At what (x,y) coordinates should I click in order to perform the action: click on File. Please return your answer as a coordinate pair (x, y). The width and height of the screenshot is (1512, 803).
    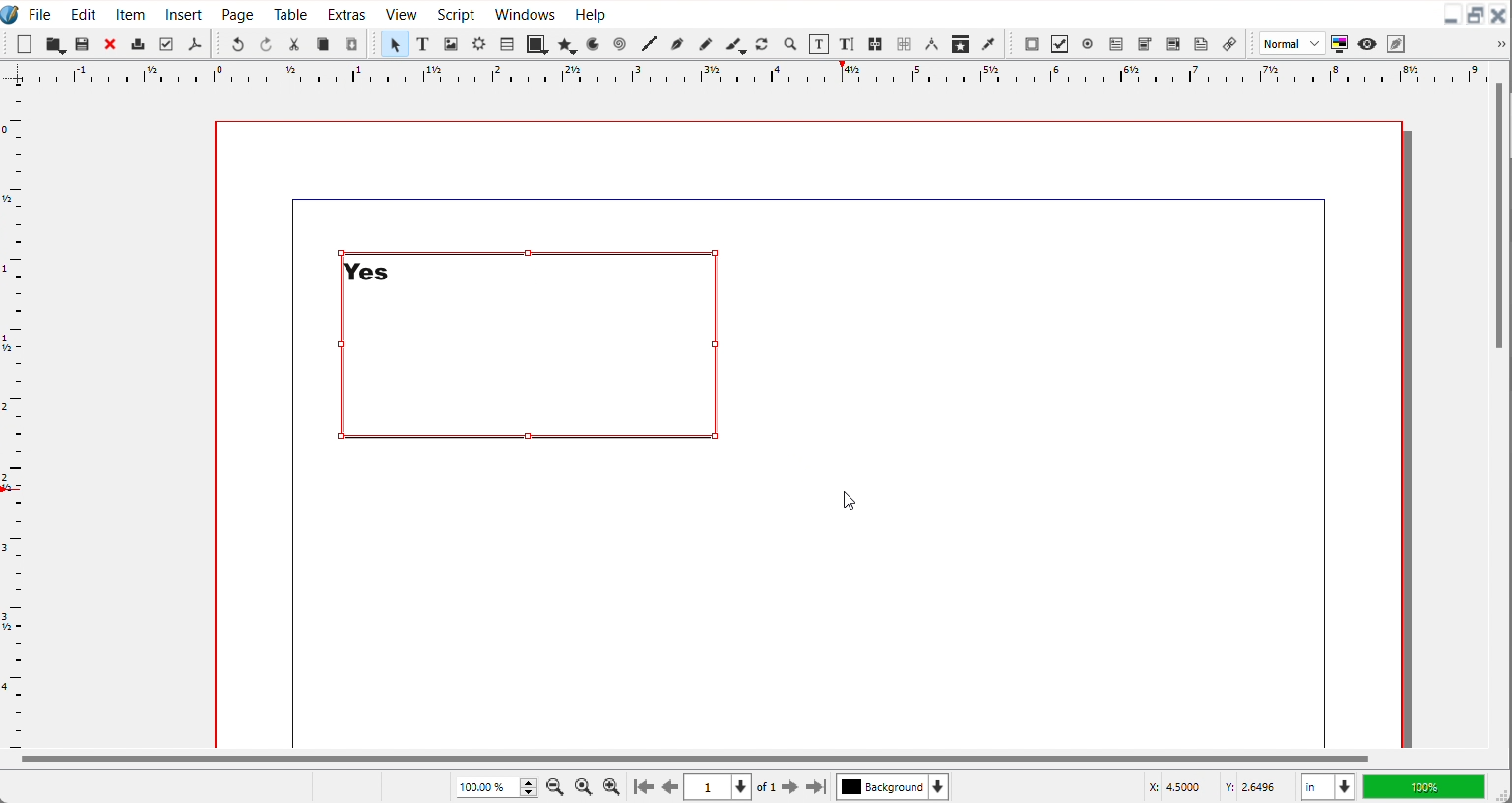
    Looking at the image, I should click on (40, 13).